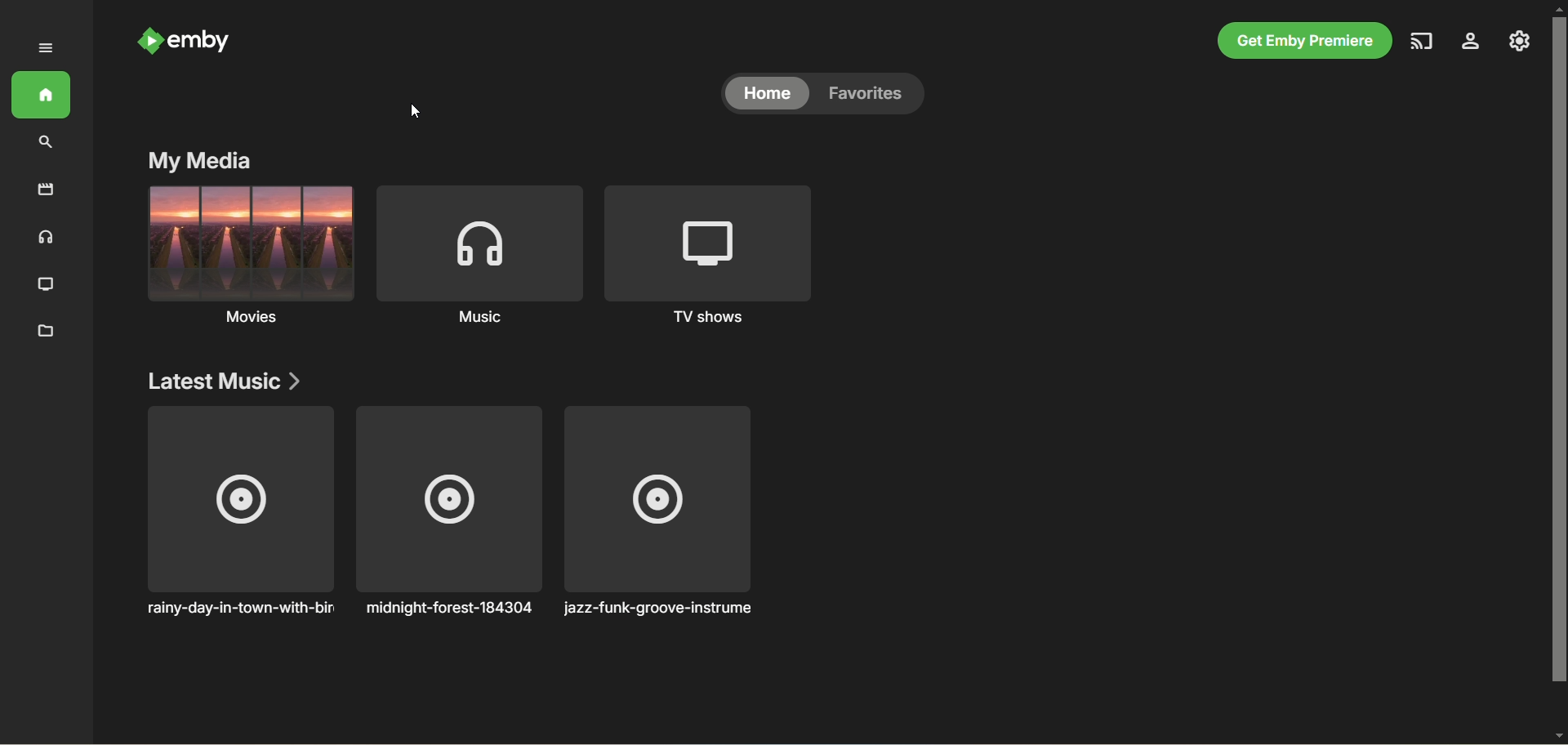  What do you see at coordinates (767, 95) in the screenshot?
I see `home` at bounding box center [767, 95].